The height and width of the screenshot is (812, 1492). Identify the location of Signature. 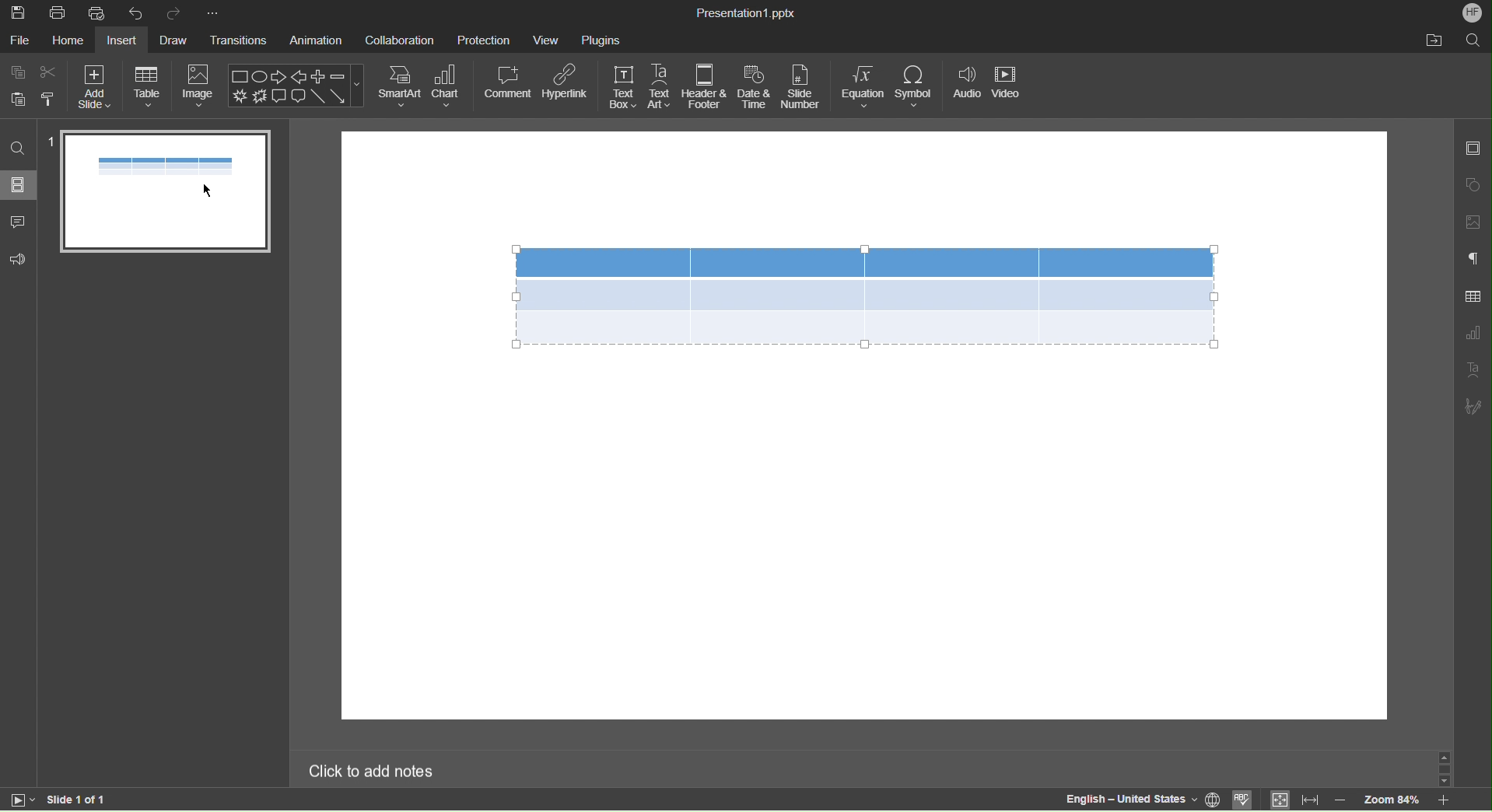
(1473, 405).